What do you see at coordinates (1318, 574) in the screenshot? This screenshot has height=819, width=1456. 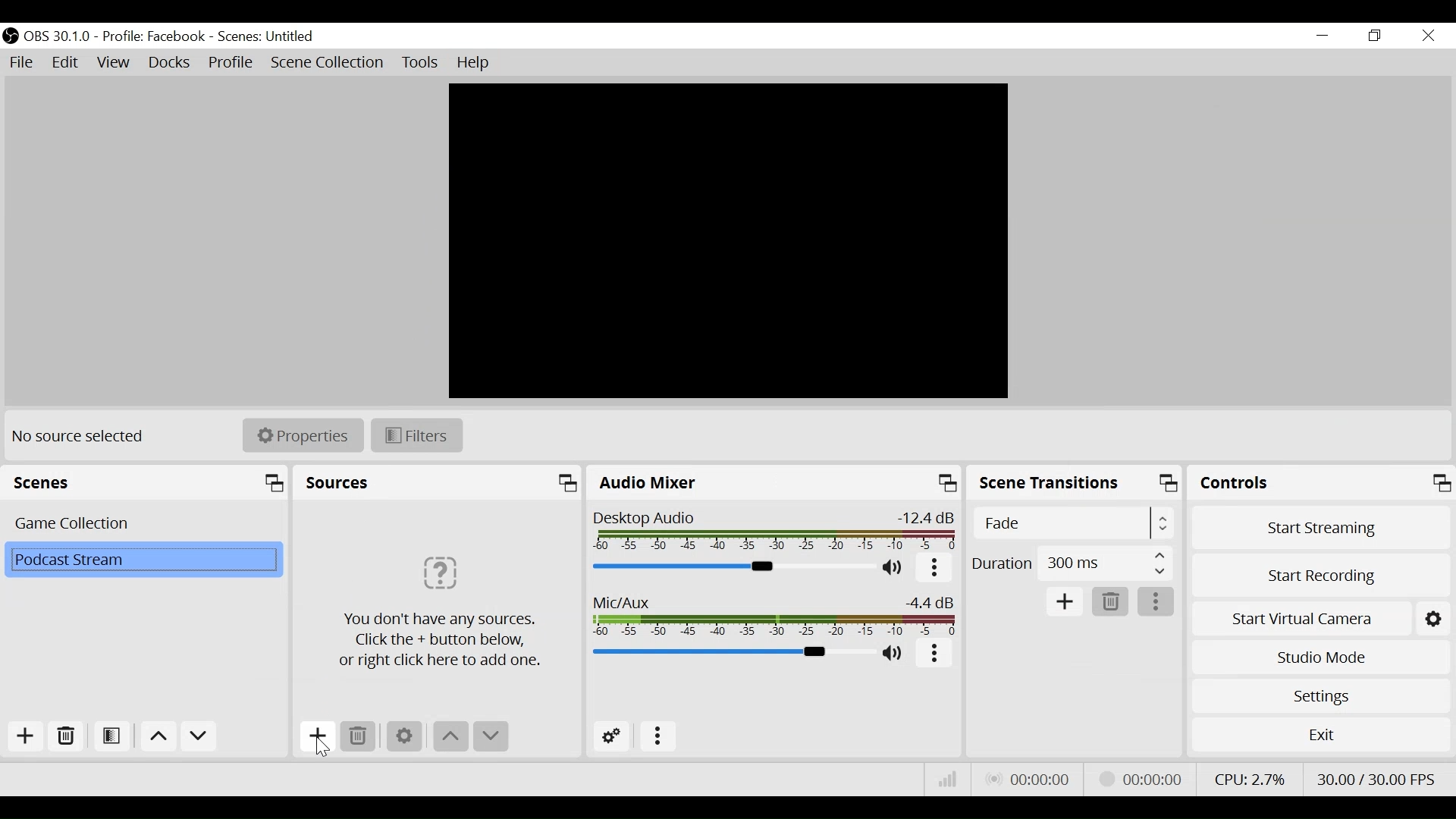 I see `Start Recording` at bounding box center [1318, 574].